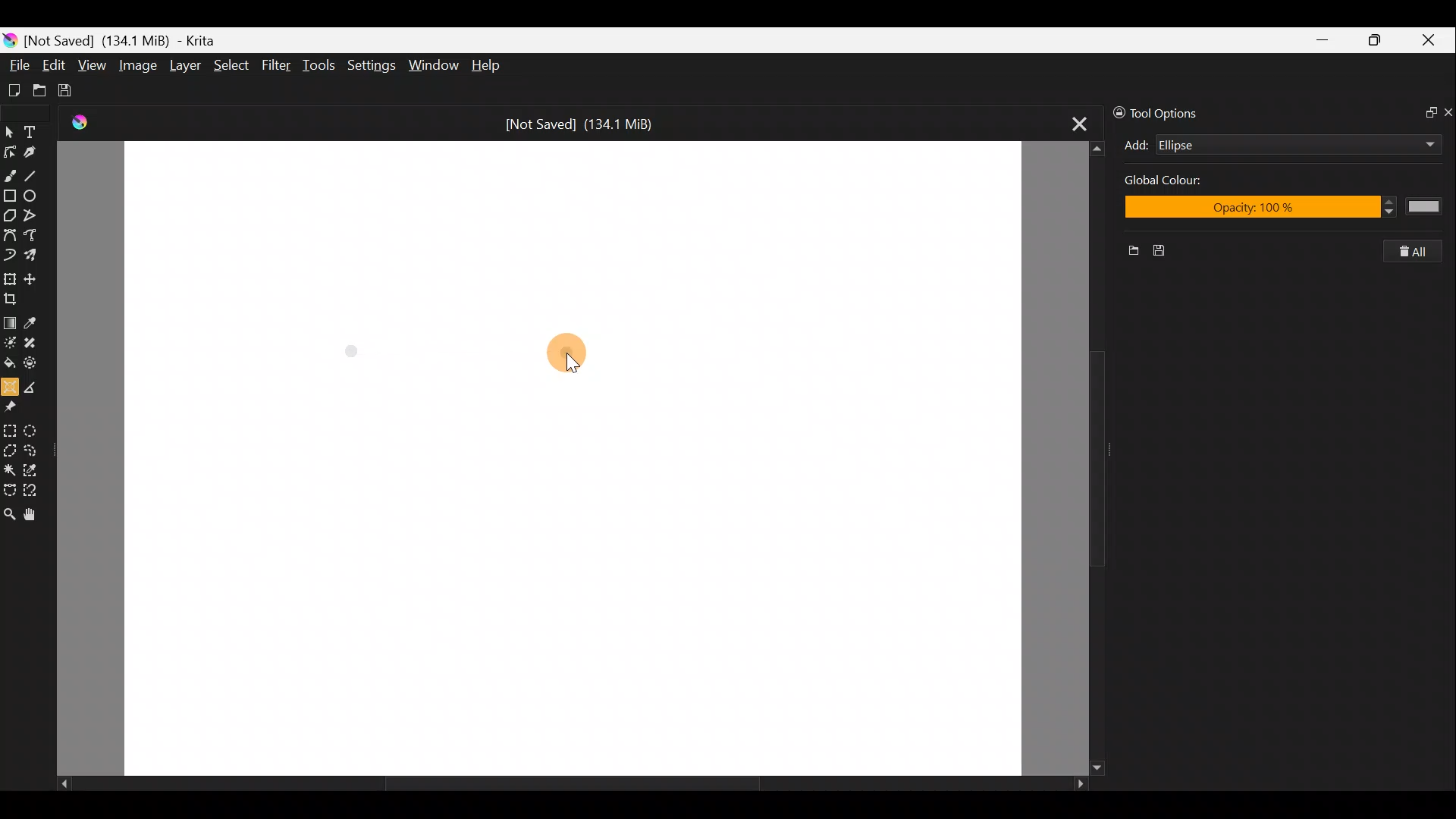 The image size is (1456, 819). Describe the element at coordinates (184, 66) in the screenshot. I see `Layer` at that location.